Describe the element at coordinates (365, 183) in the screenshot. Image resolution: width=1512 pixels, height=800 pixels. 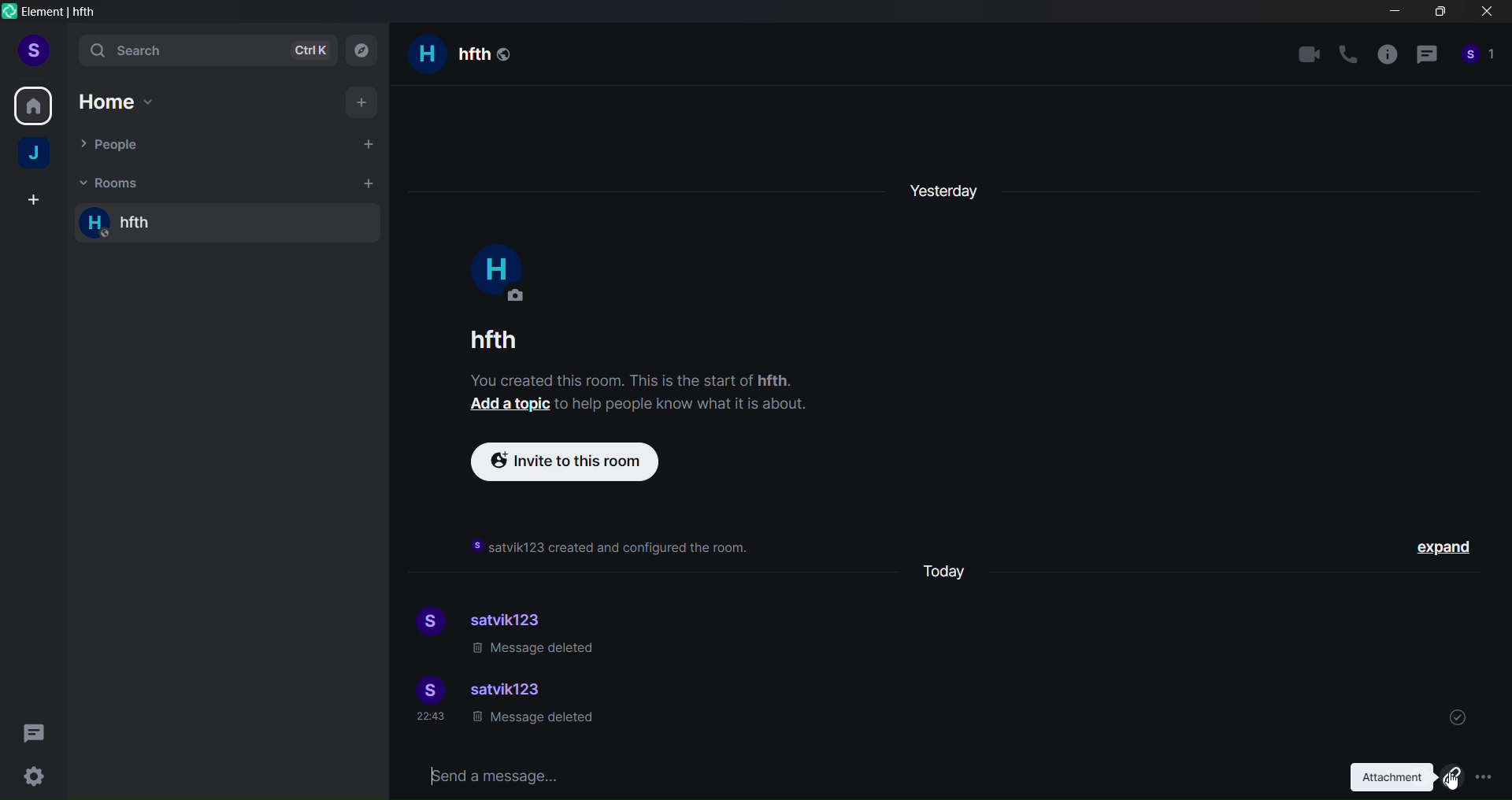
I see `add rome` at that location.